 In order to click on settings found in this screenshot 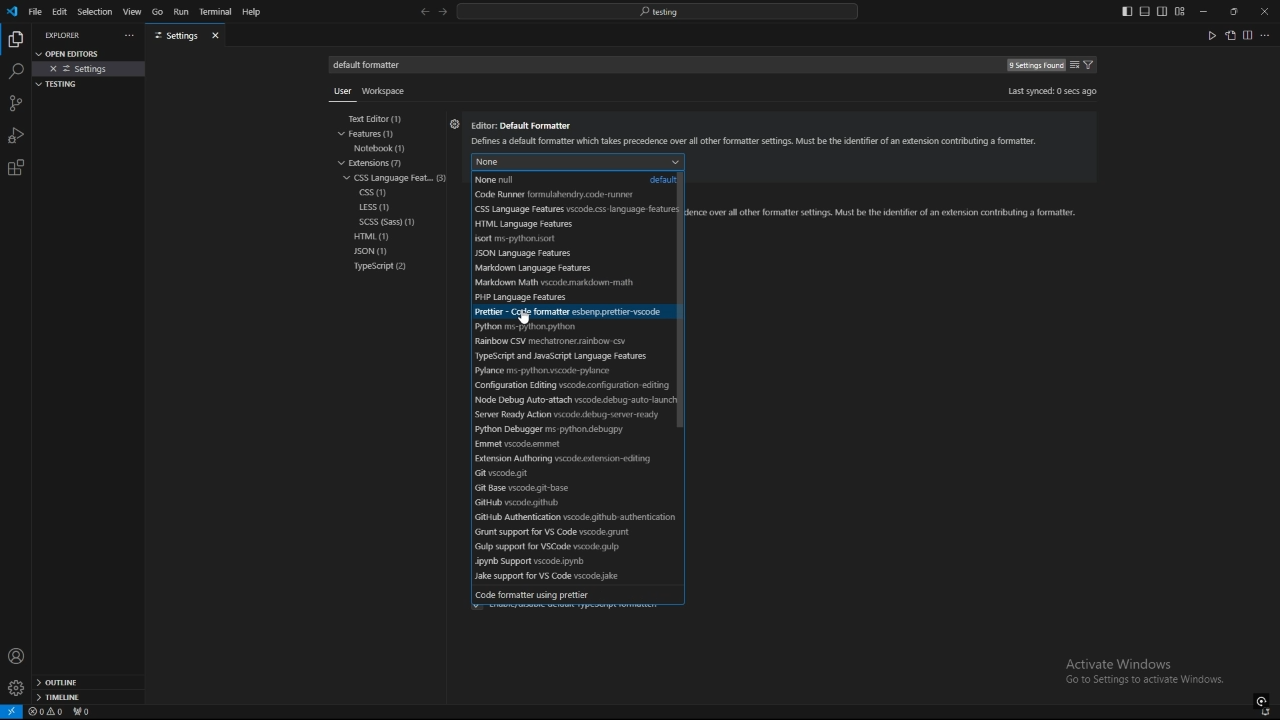, I will do `click(1034, 66)`.